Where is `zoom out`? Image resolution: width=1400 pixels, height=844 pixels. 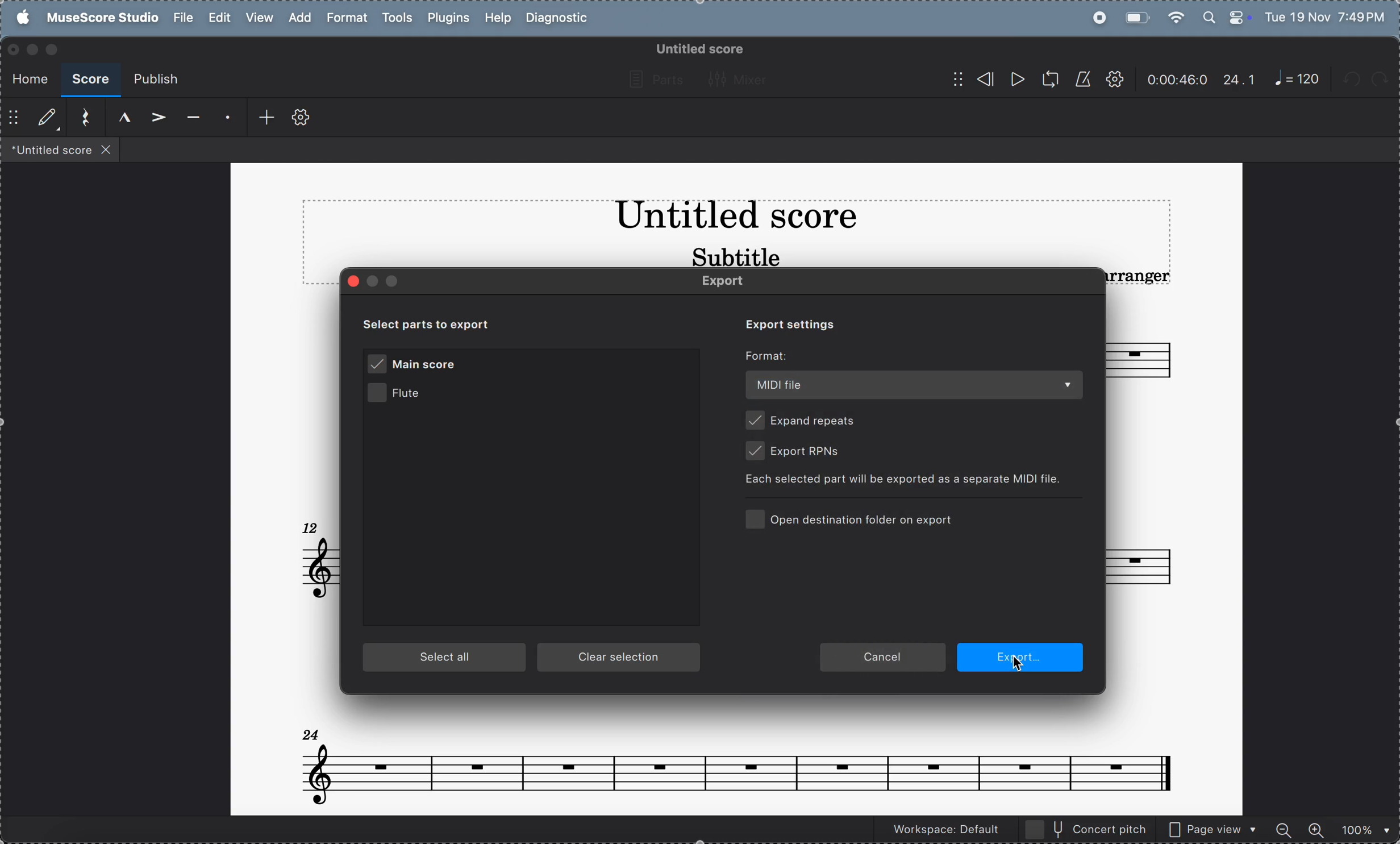
zoom out is located at coordinates (1285, 828).